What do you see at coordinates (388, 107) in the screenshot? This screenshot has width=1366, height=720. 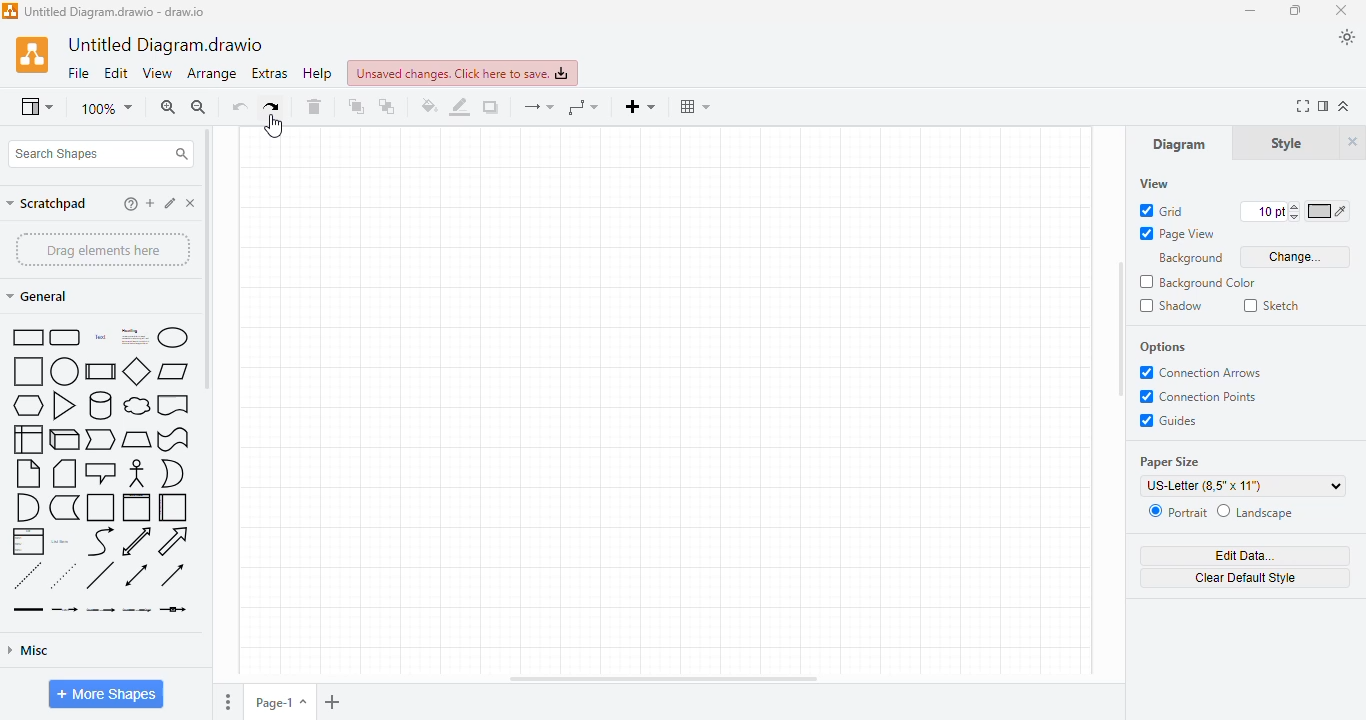 I see `to back` at bounding box center [388, 107].